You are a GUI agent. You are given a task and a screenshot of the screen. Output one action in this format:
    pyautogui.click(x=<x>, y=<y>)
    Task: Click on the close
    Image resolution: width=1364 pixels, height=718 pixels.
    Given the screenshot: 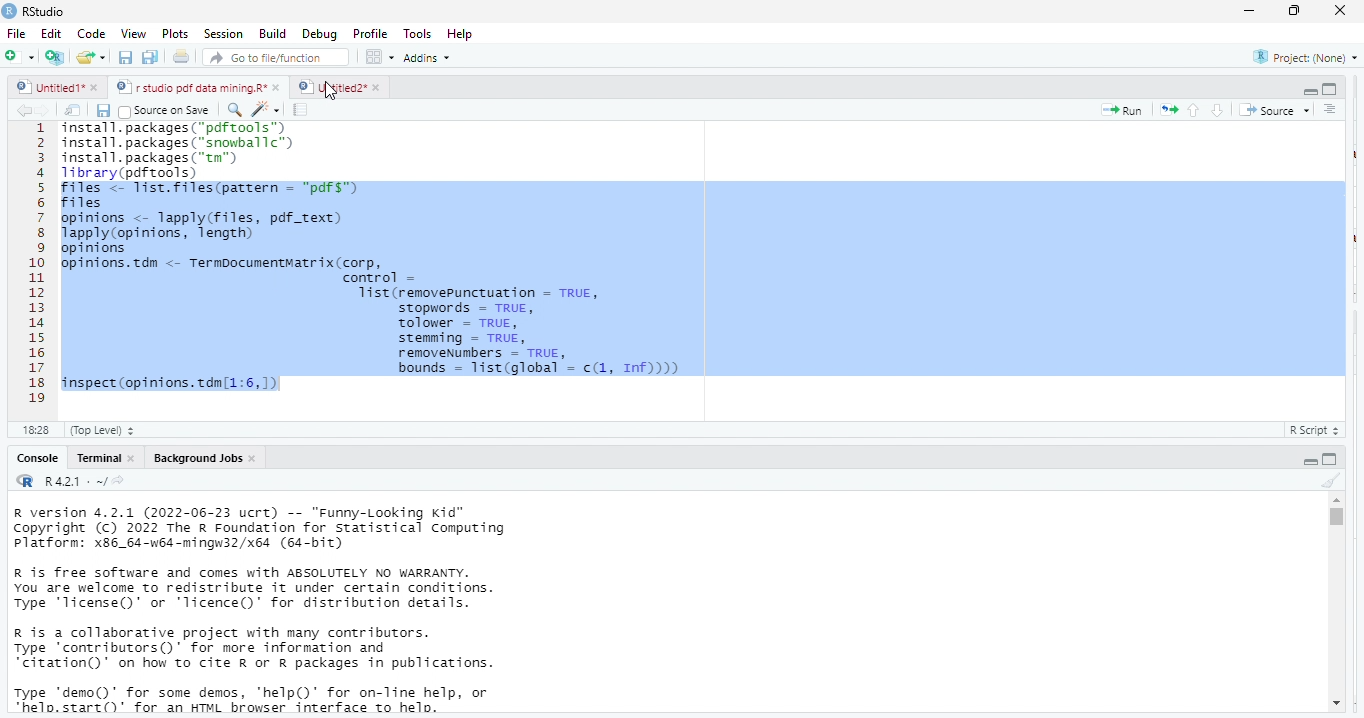 What is the action you would take?
    pyautogui.click(x=278, y=88)
    